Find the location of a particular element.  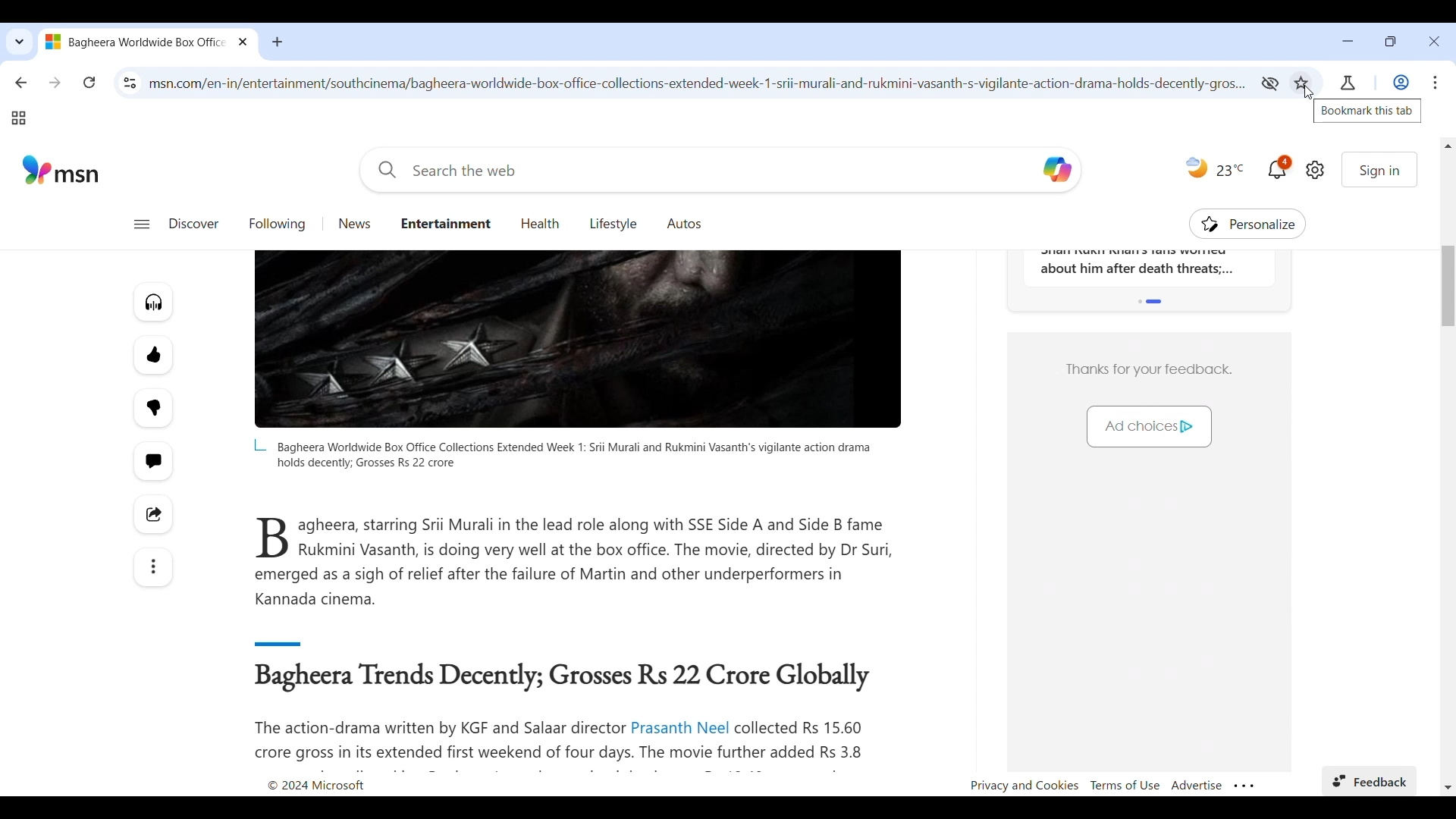

Go back is located at coordinates (21, 82).